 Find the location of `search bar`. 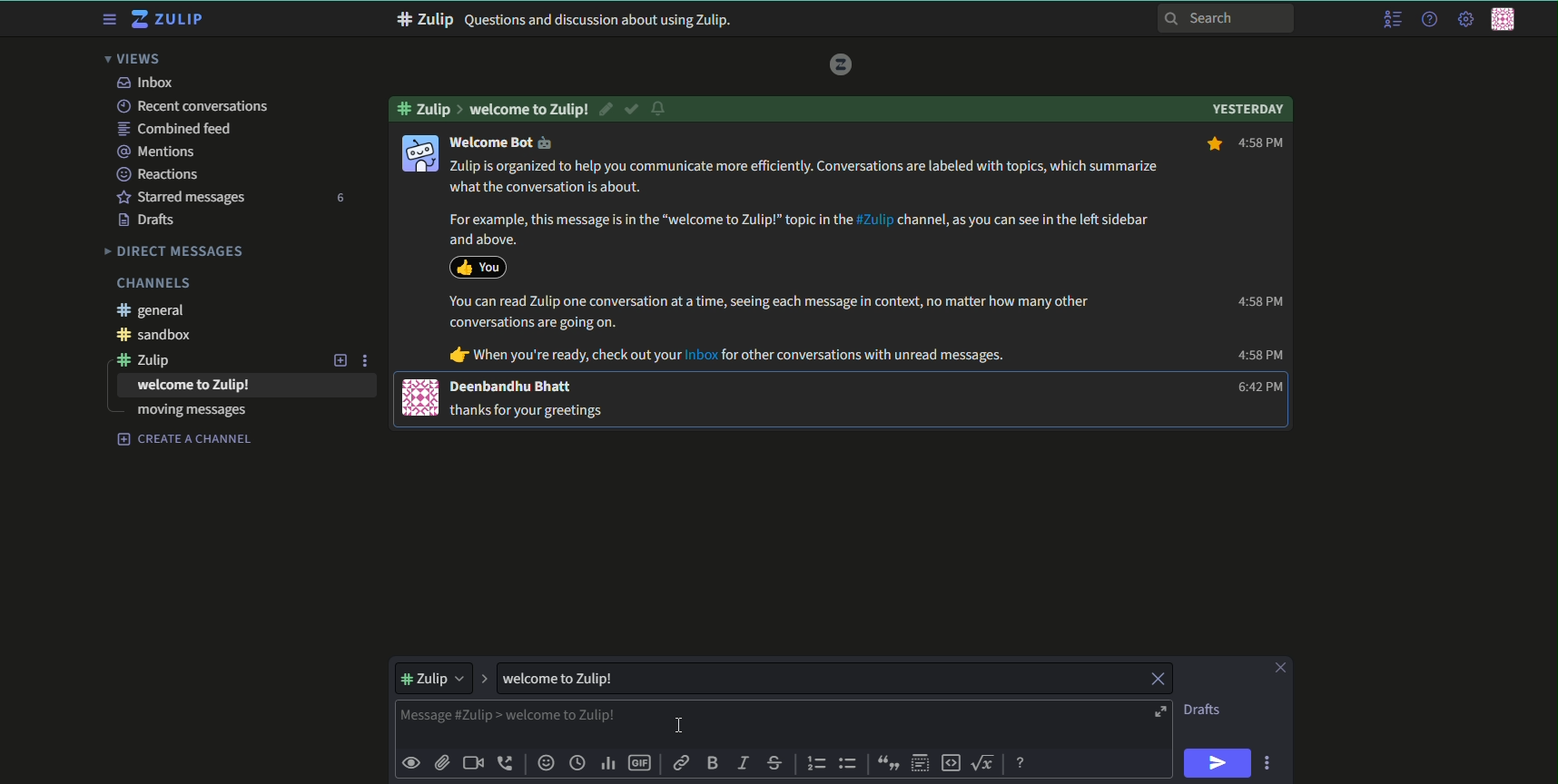

search bar is located at coordinates (1227, 17).